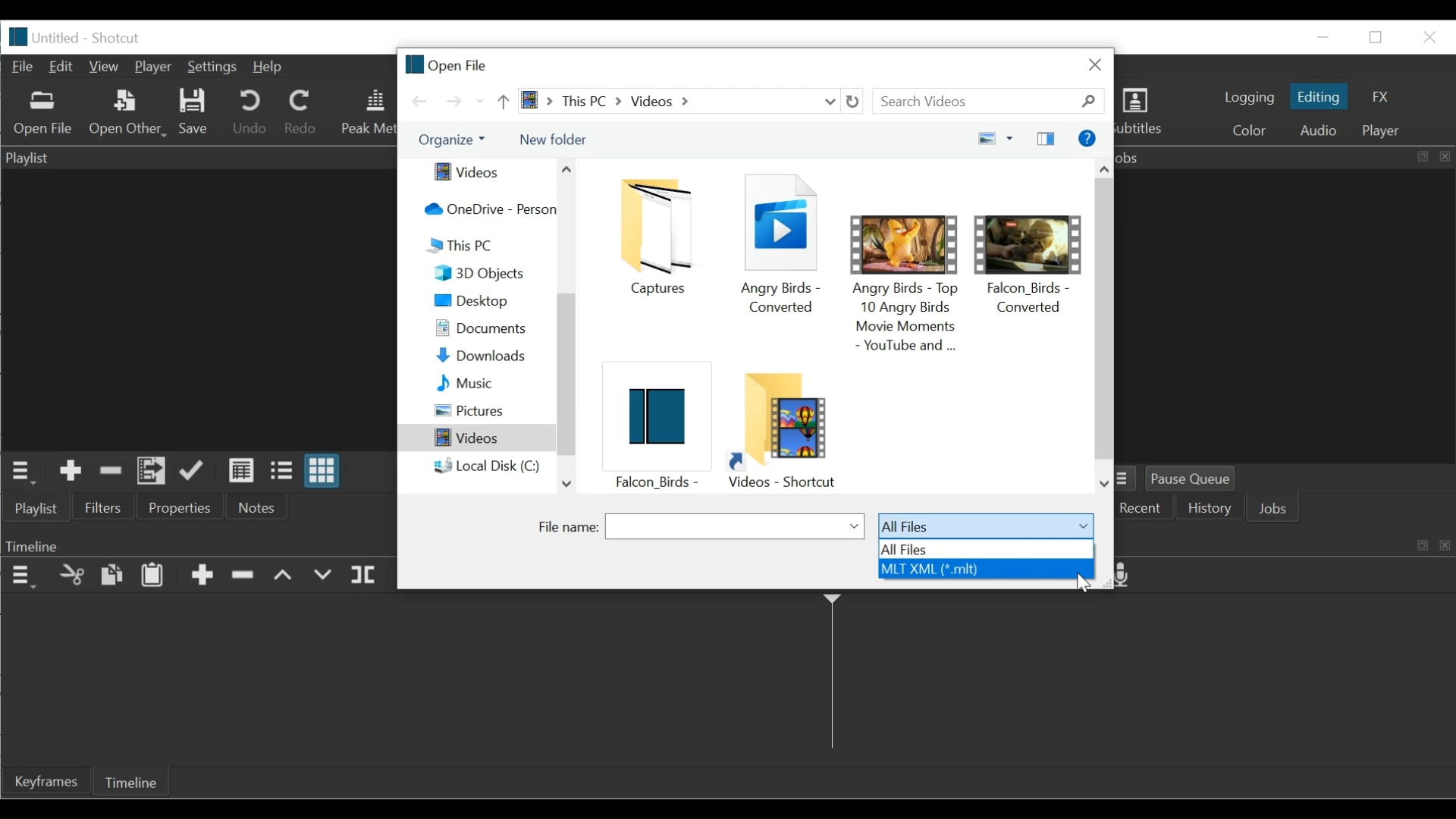  Describe the element at coordinates (993, 102) in the screenshot. I see `Search` at that location.